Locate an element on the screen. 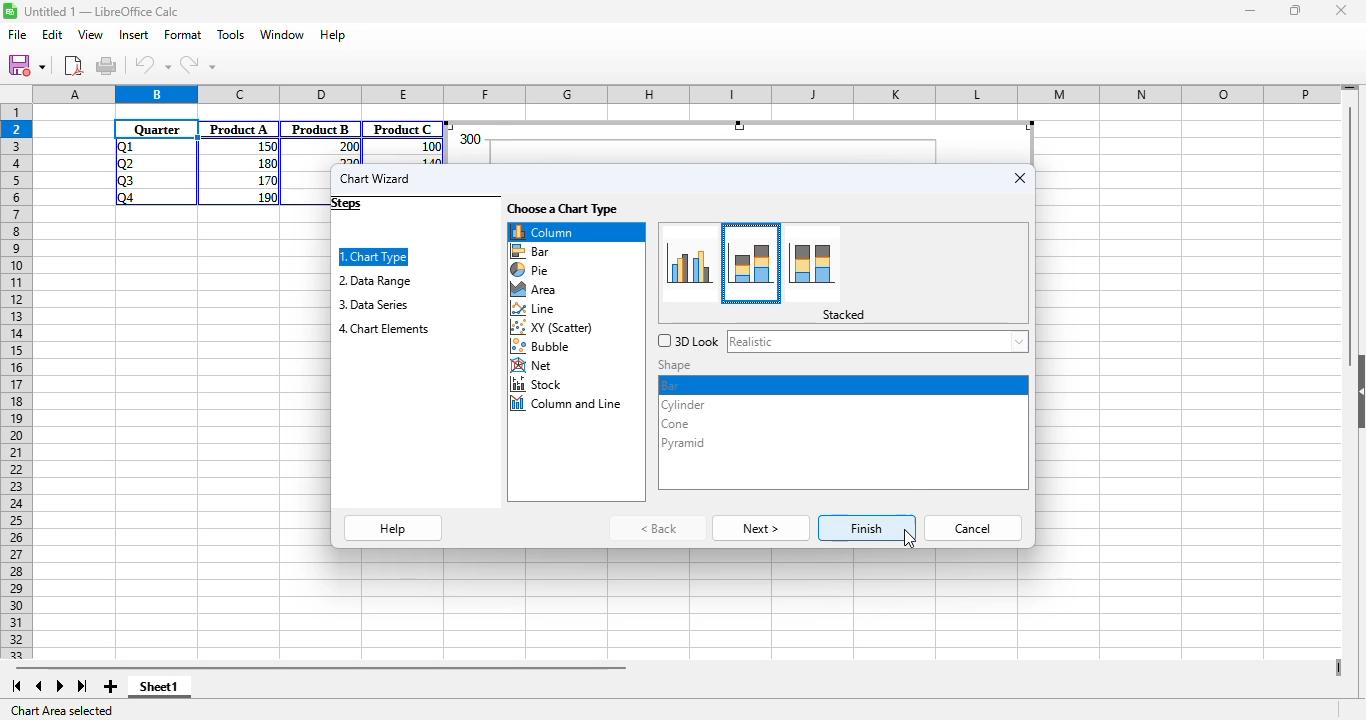 Image resolution: width=1366 pixels, height=720 pixels. window is located at coordinates (283, 35).